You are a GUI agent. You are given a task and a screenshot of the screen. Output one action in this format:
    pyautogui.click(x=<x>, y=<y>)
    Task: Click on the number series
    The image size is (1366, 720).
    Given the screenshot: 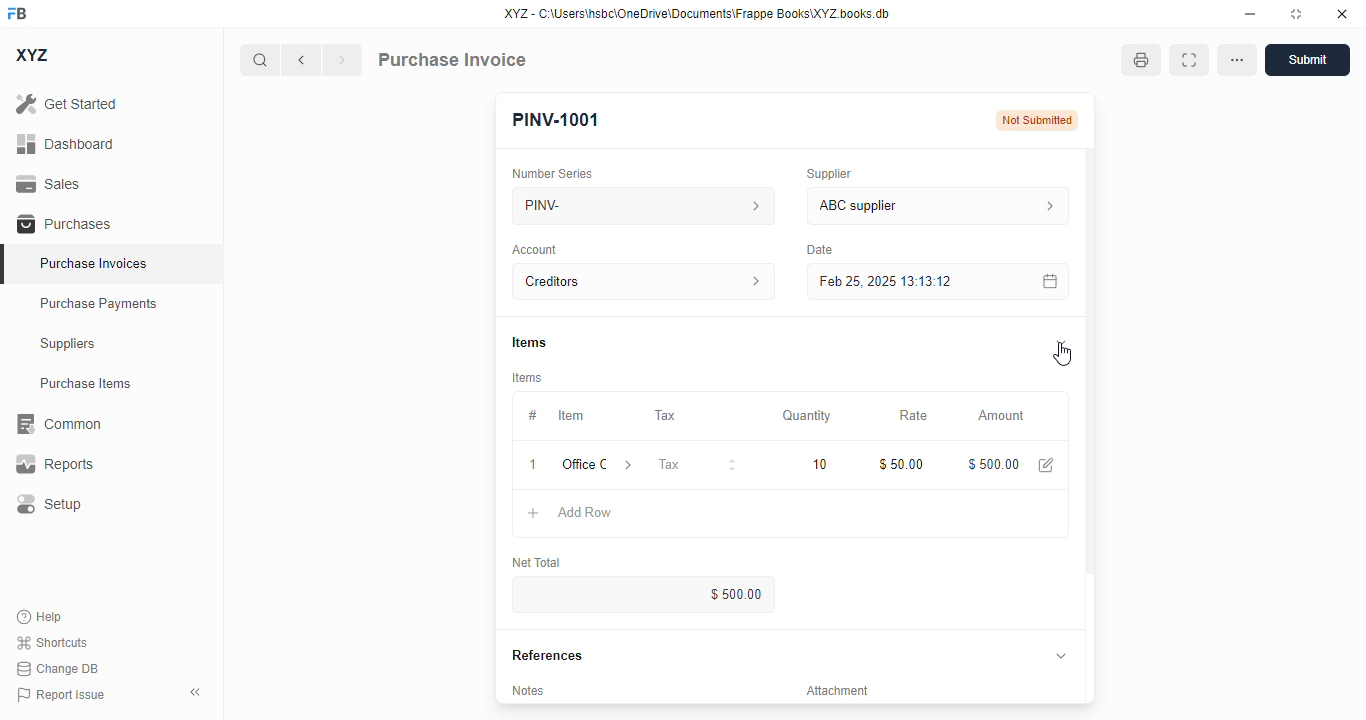 What is the action you would take?
    pyautogui.click(x=553, y=173)
    